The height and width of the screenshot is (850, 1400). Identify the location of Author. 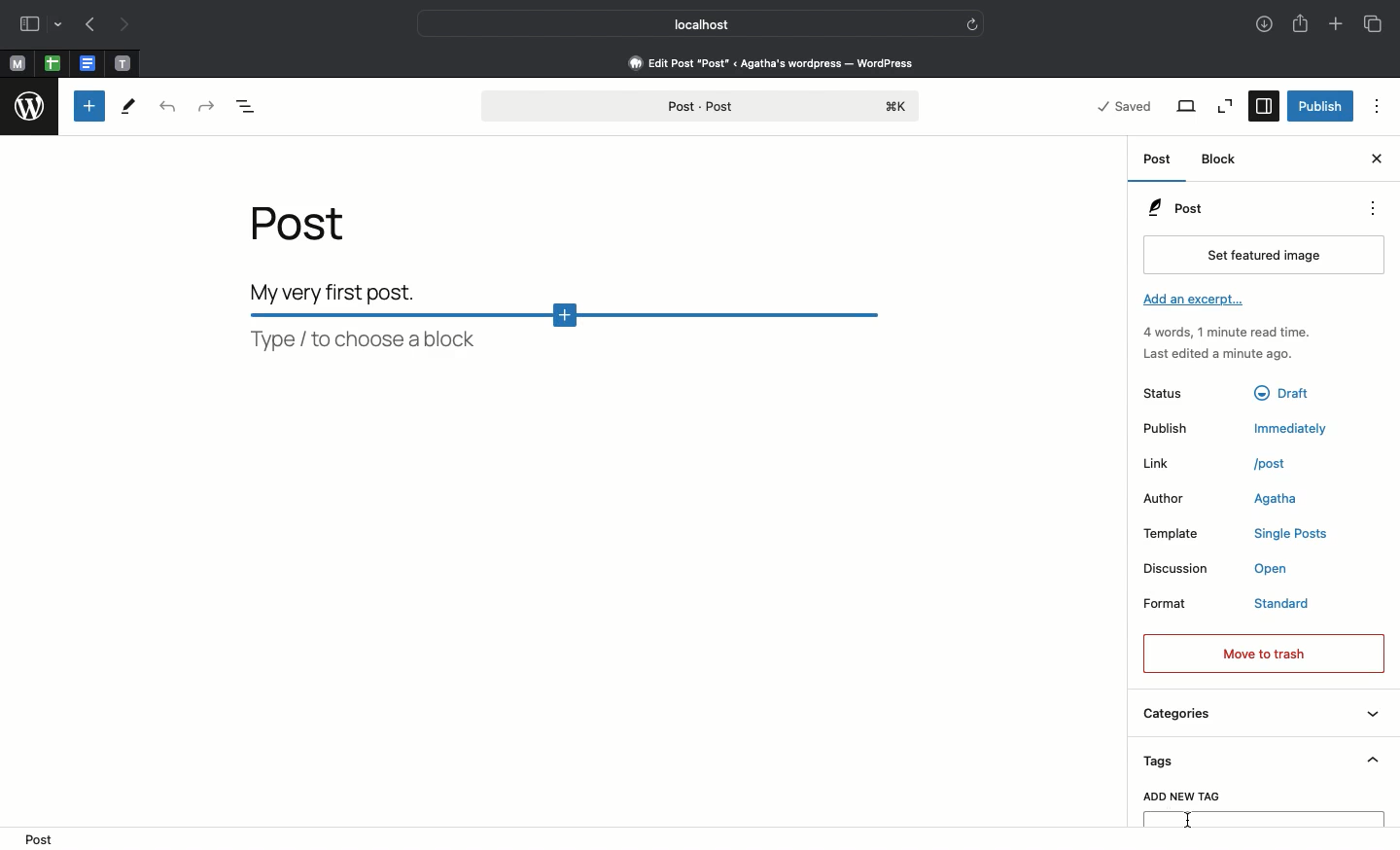
(1169, 497).